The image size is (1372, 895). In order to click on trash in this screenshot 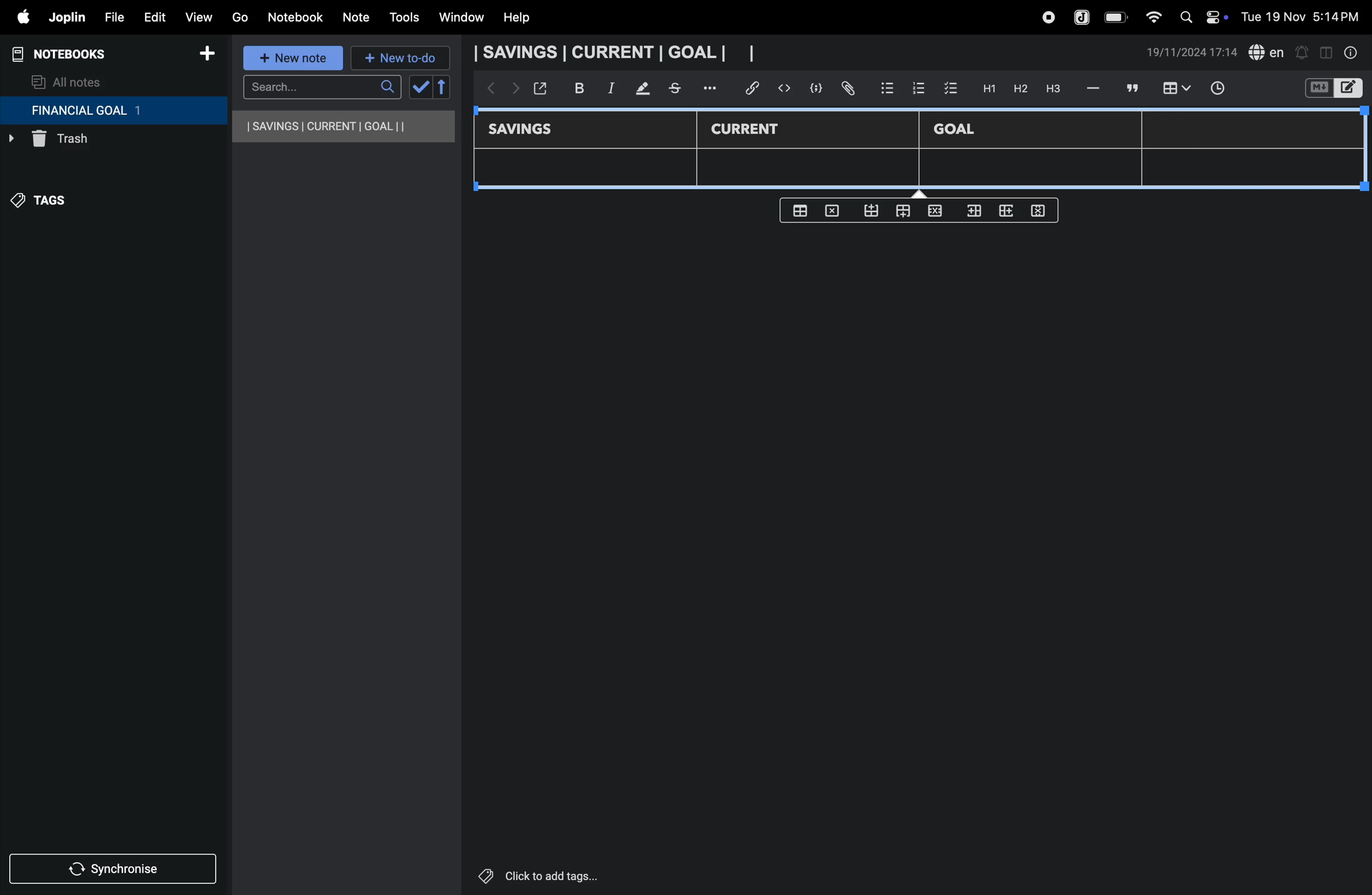, I will do `click(89, 142)`.